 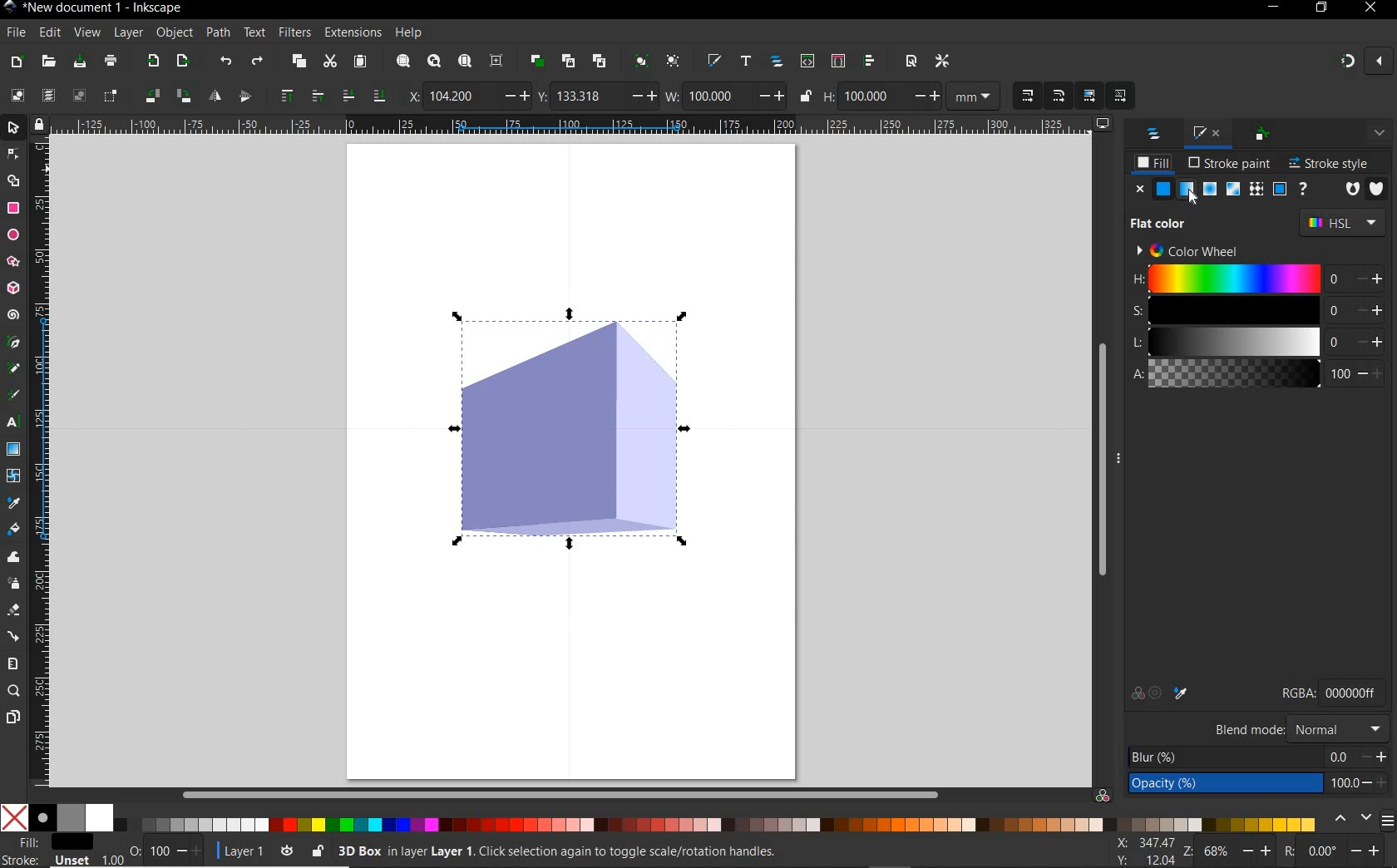 I want to click on LAYER, so click(x=129, y=32).